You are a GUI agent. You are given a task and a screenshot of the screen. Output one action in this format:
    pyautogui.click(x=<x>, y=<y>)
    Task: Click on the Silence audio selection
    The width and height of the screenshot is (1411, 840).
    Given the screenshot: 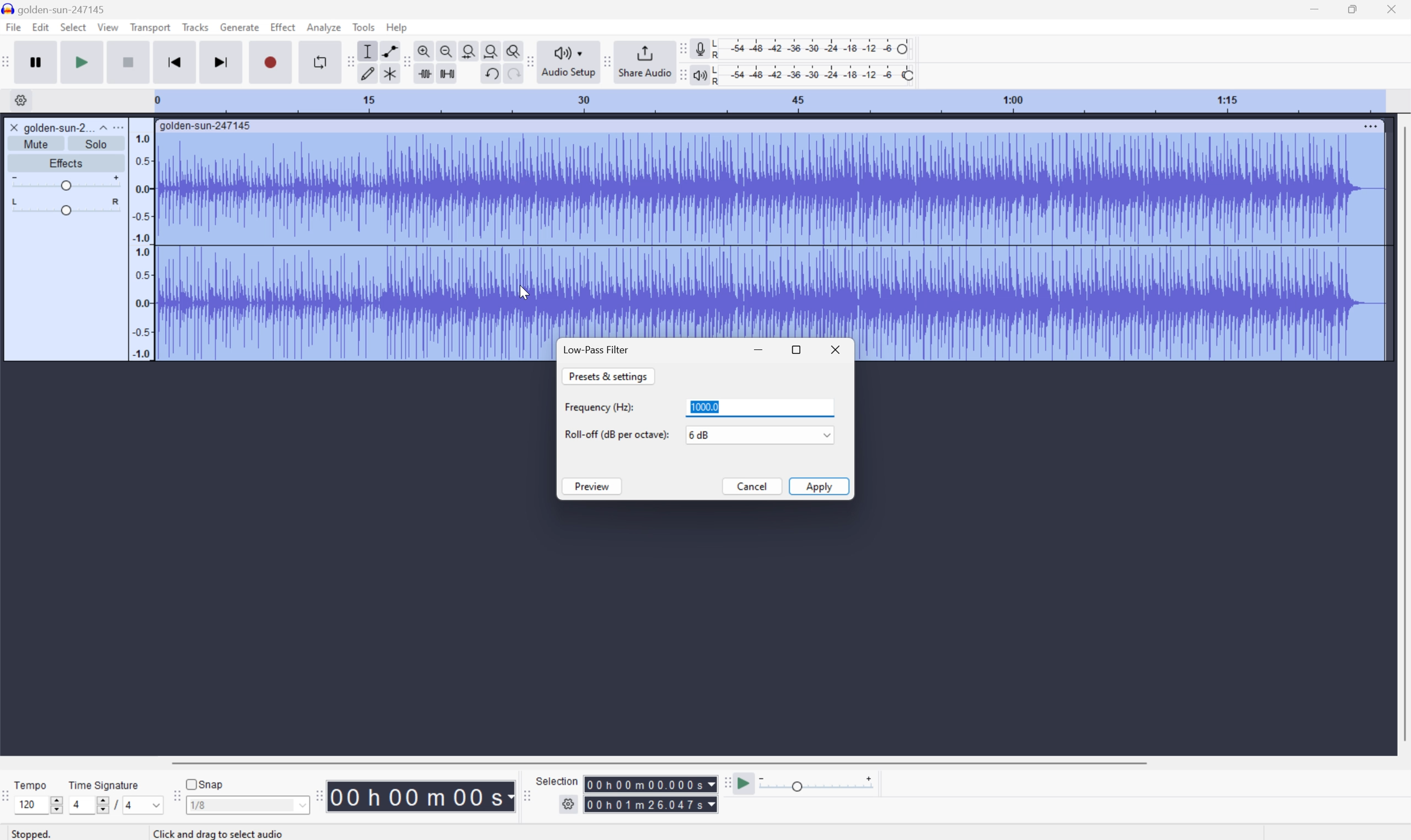 What is the action you would take?
    pyautogui.click(x=447, y=74)
    